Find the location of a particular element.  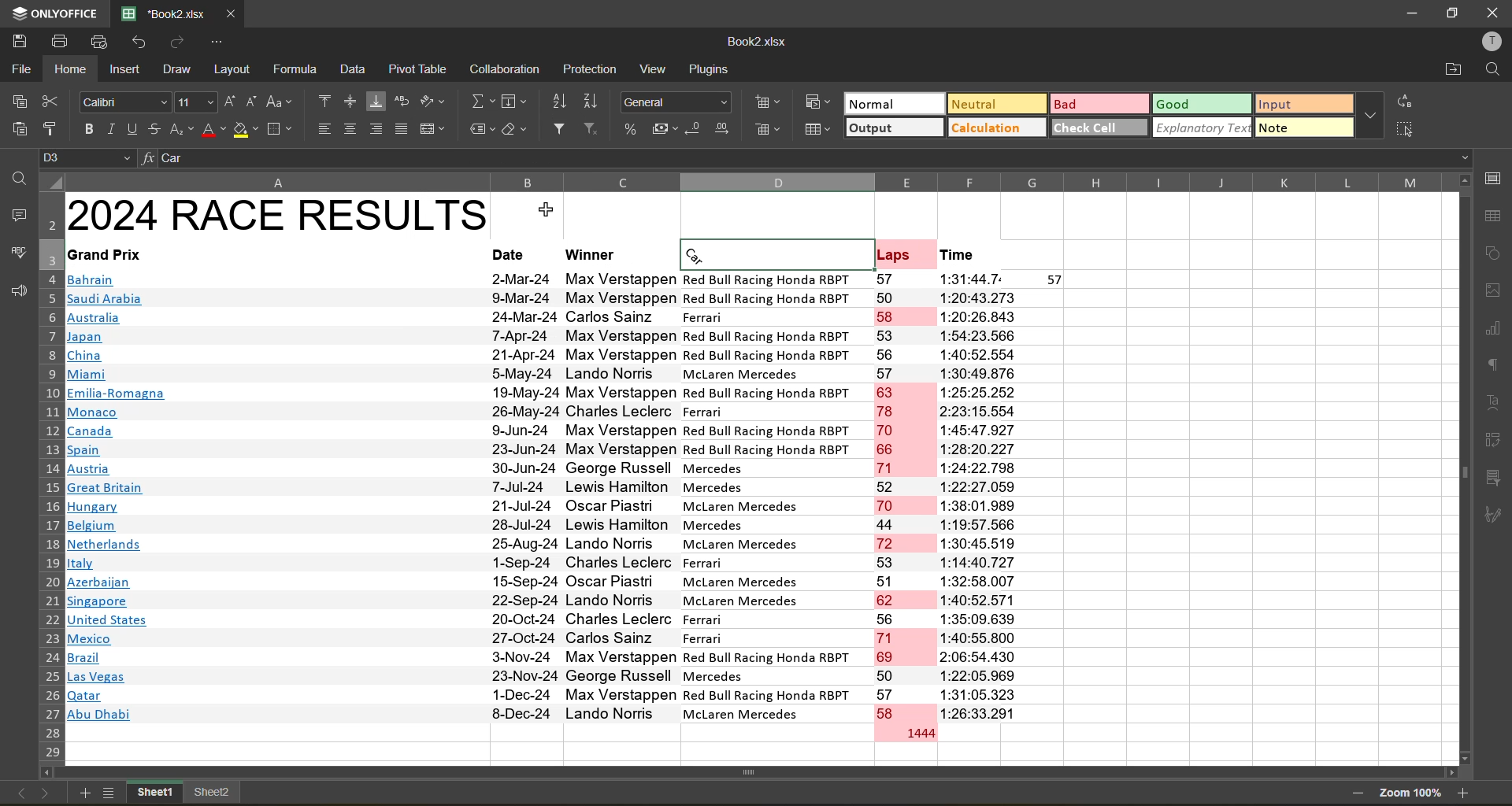

charts is located at coordinates (1493, 331).